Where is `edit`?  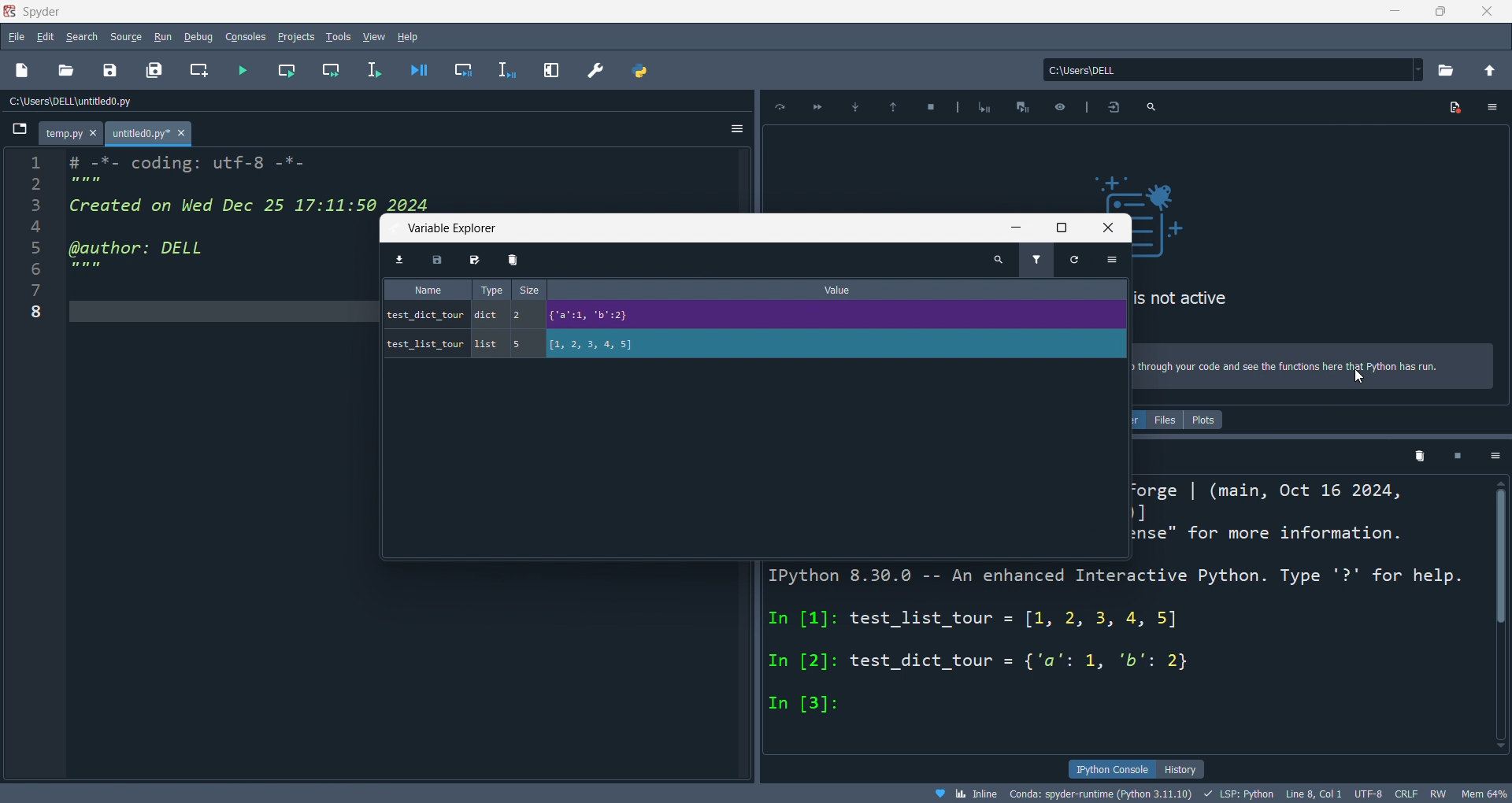 edit is located at coordinates (45, 36).